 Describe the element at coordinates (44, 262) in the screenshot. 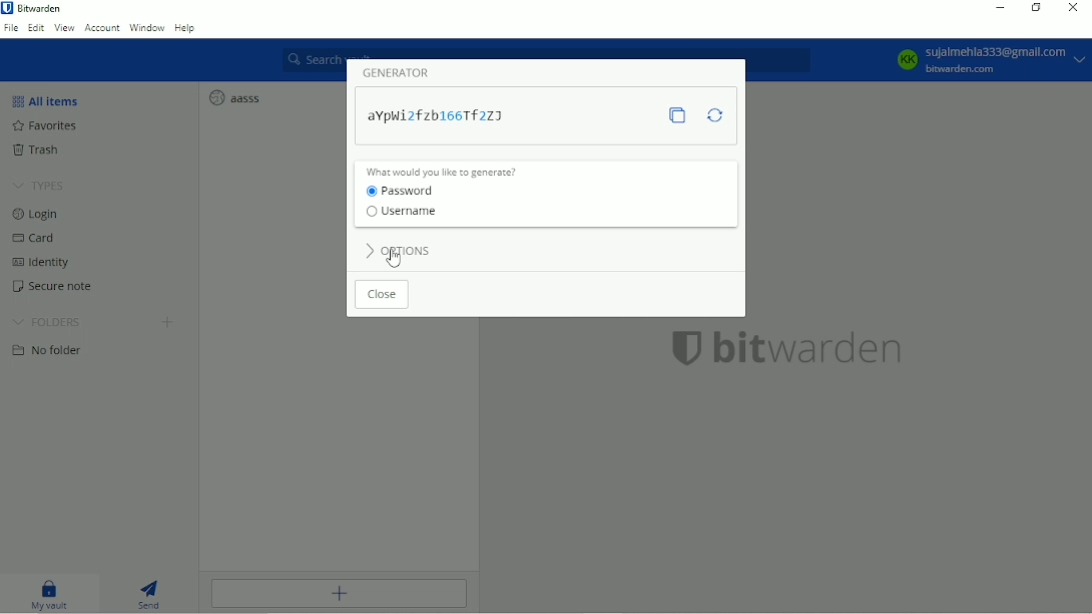

I see `Identity` at that location.